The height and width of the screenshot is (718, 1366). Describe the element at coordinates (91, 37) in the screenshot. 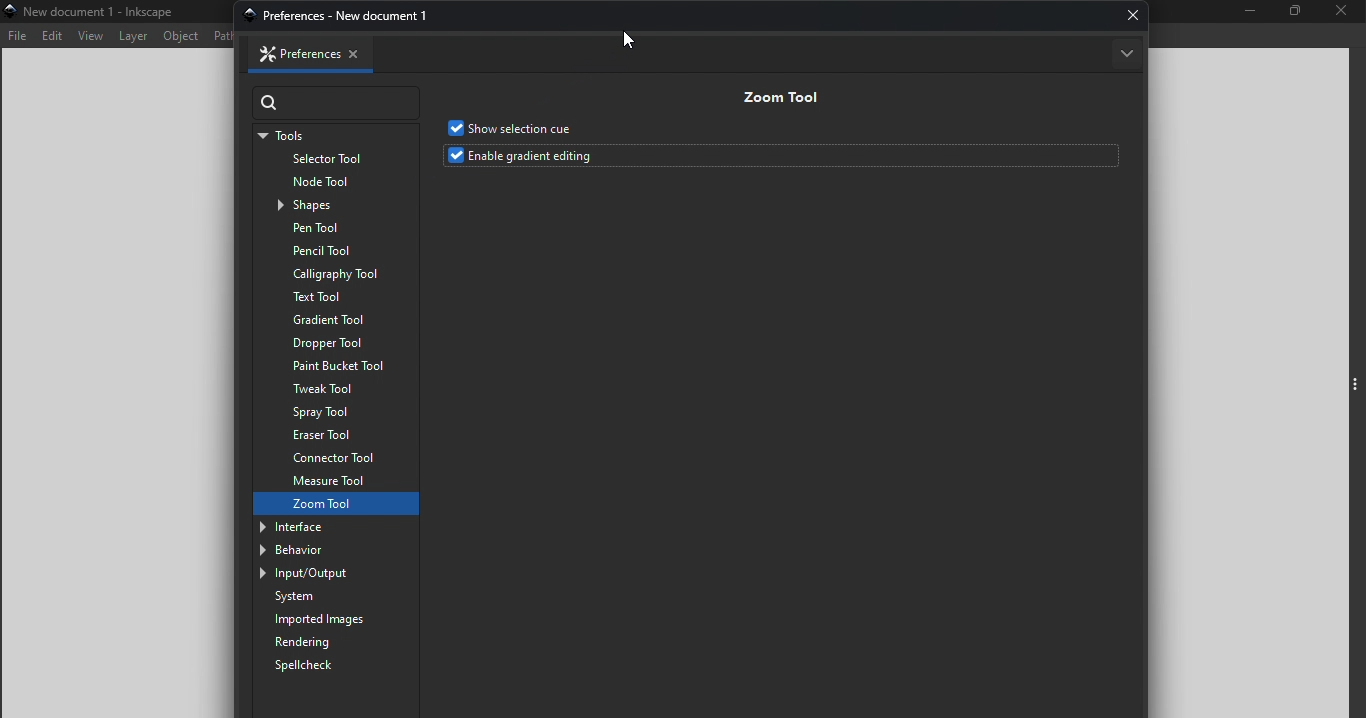

I see `View` at that location.